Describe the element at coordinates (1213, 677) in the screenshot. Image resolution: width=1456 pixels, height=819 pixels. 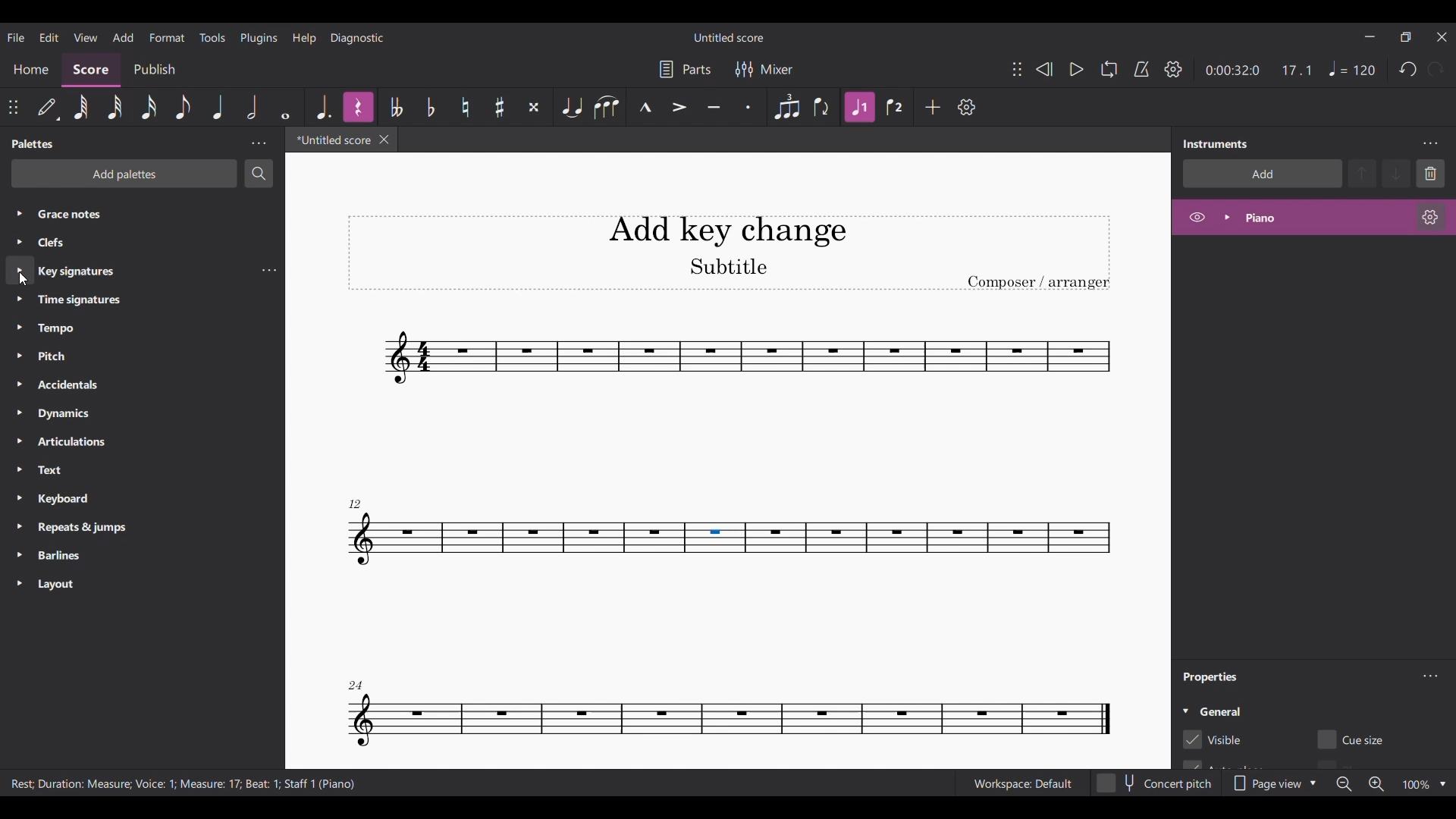
I see `Panel title` at that location.